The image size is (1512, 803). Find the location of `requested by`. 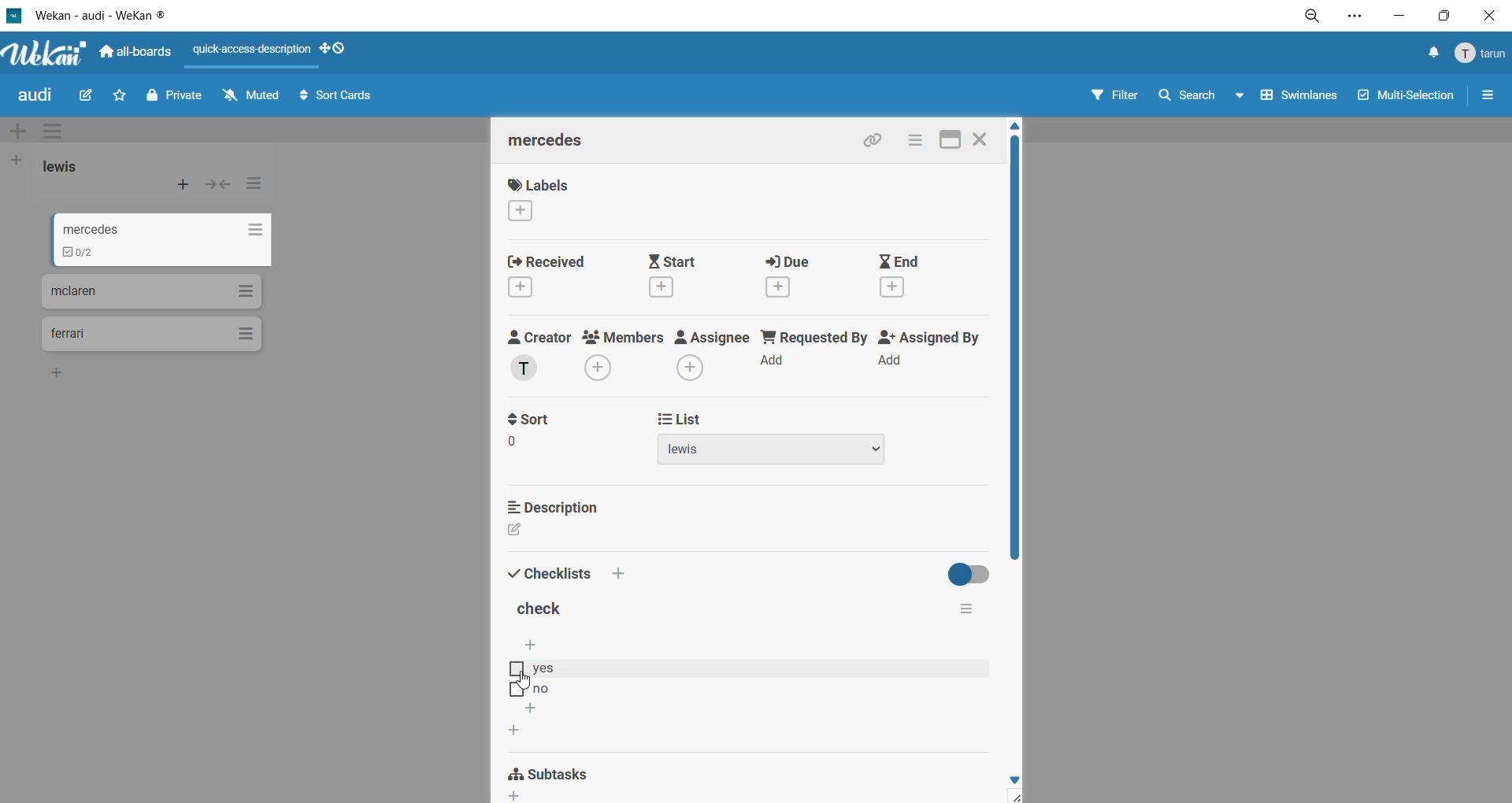

requested by is located at coordinates (811, 352).